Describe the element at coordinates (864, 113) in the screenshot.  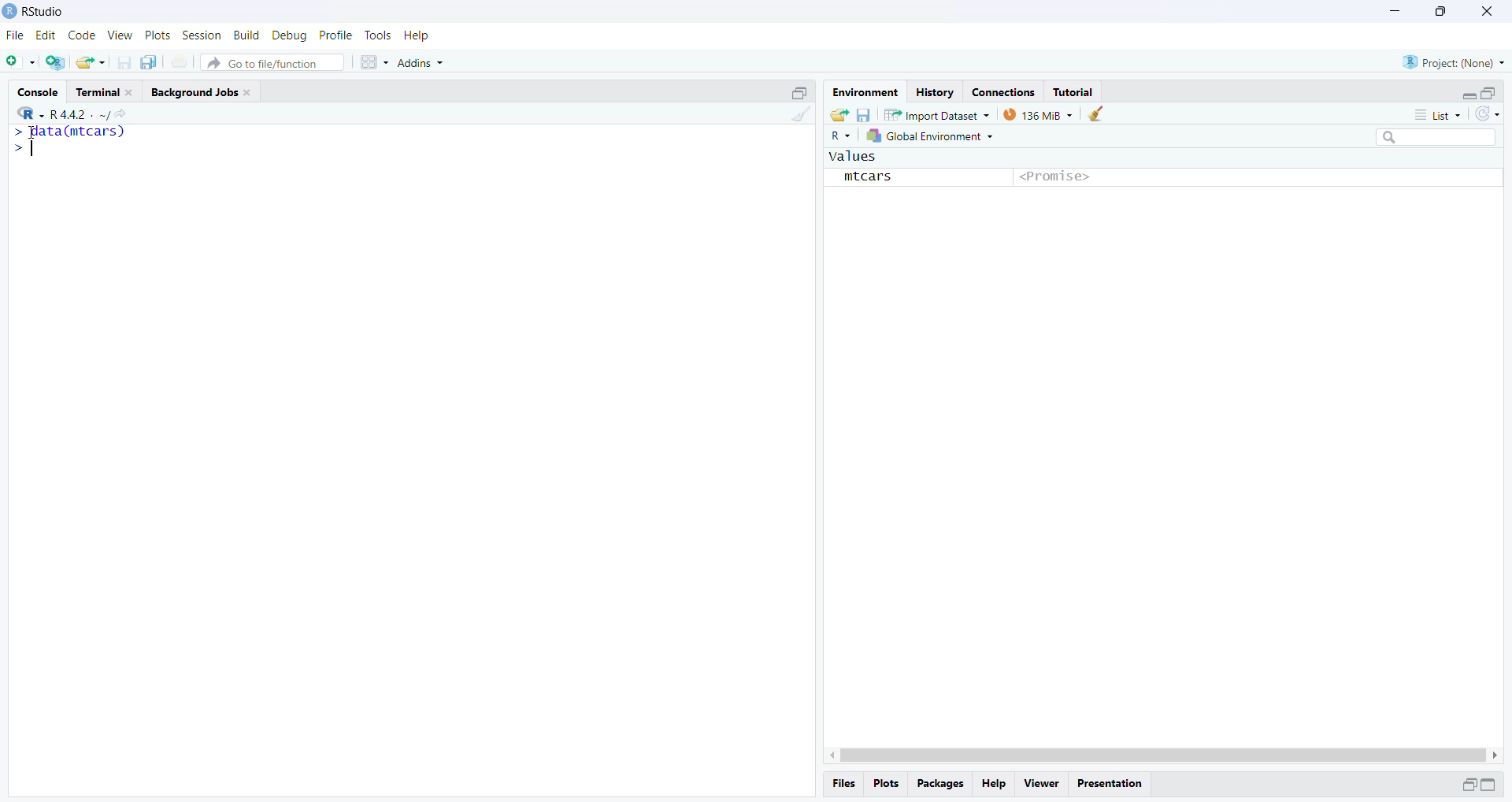
I see `Save workspace as` at that location.